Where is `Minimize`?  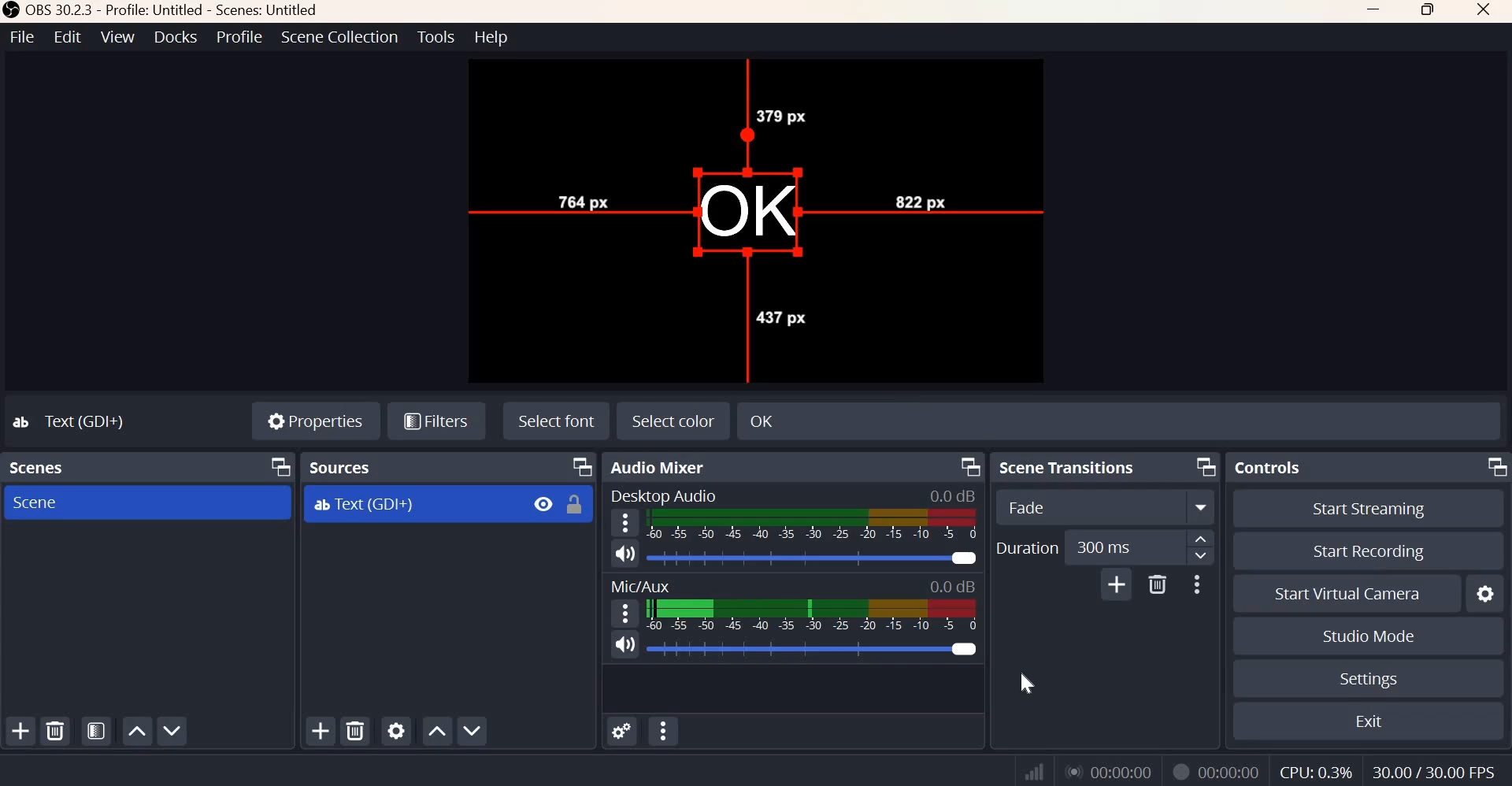
Minimize is located at coordinates (1375, 11).